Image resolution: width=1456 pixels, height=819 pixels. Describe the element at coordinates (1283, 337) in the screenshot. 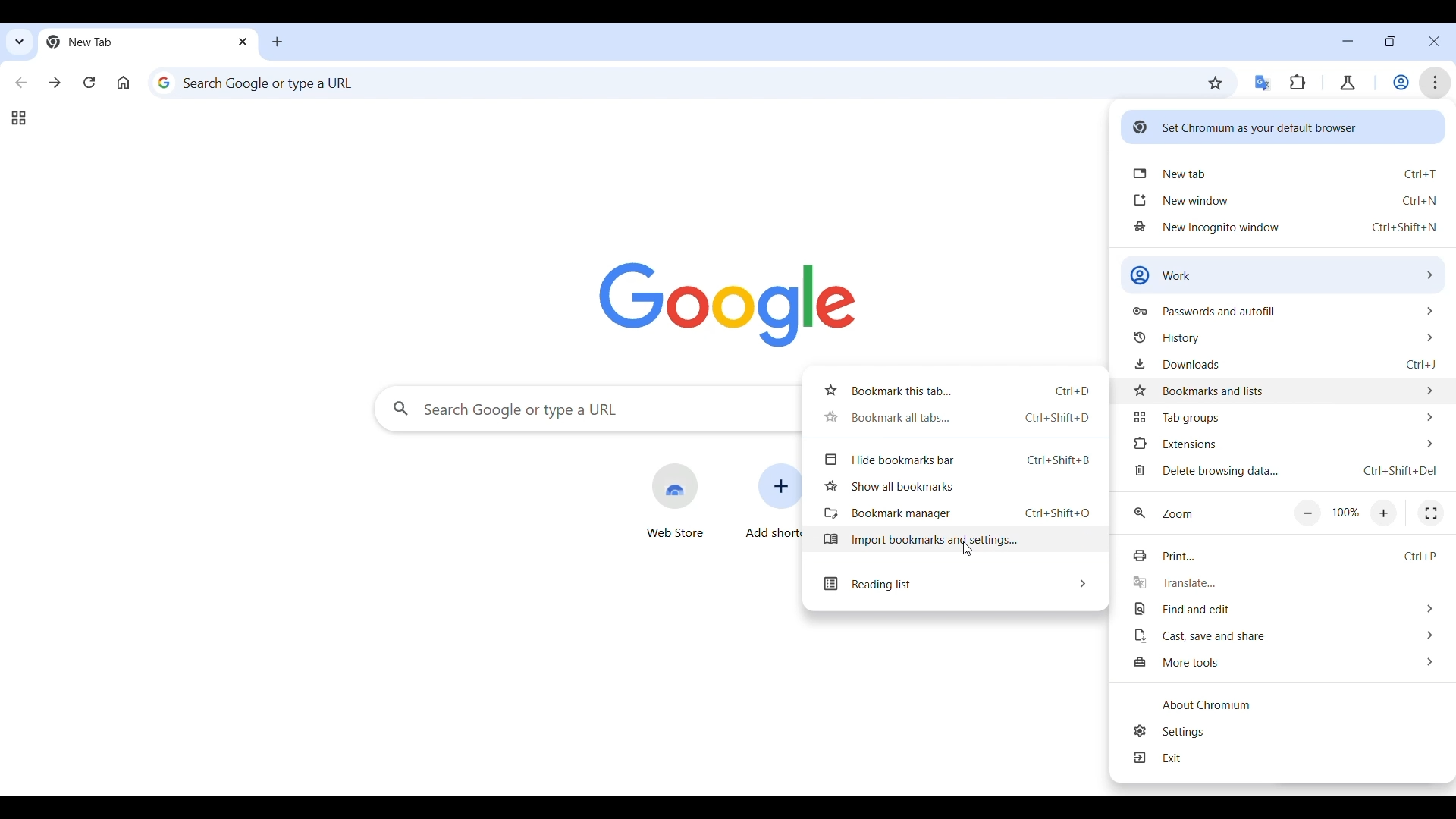

I see `History` at that location.